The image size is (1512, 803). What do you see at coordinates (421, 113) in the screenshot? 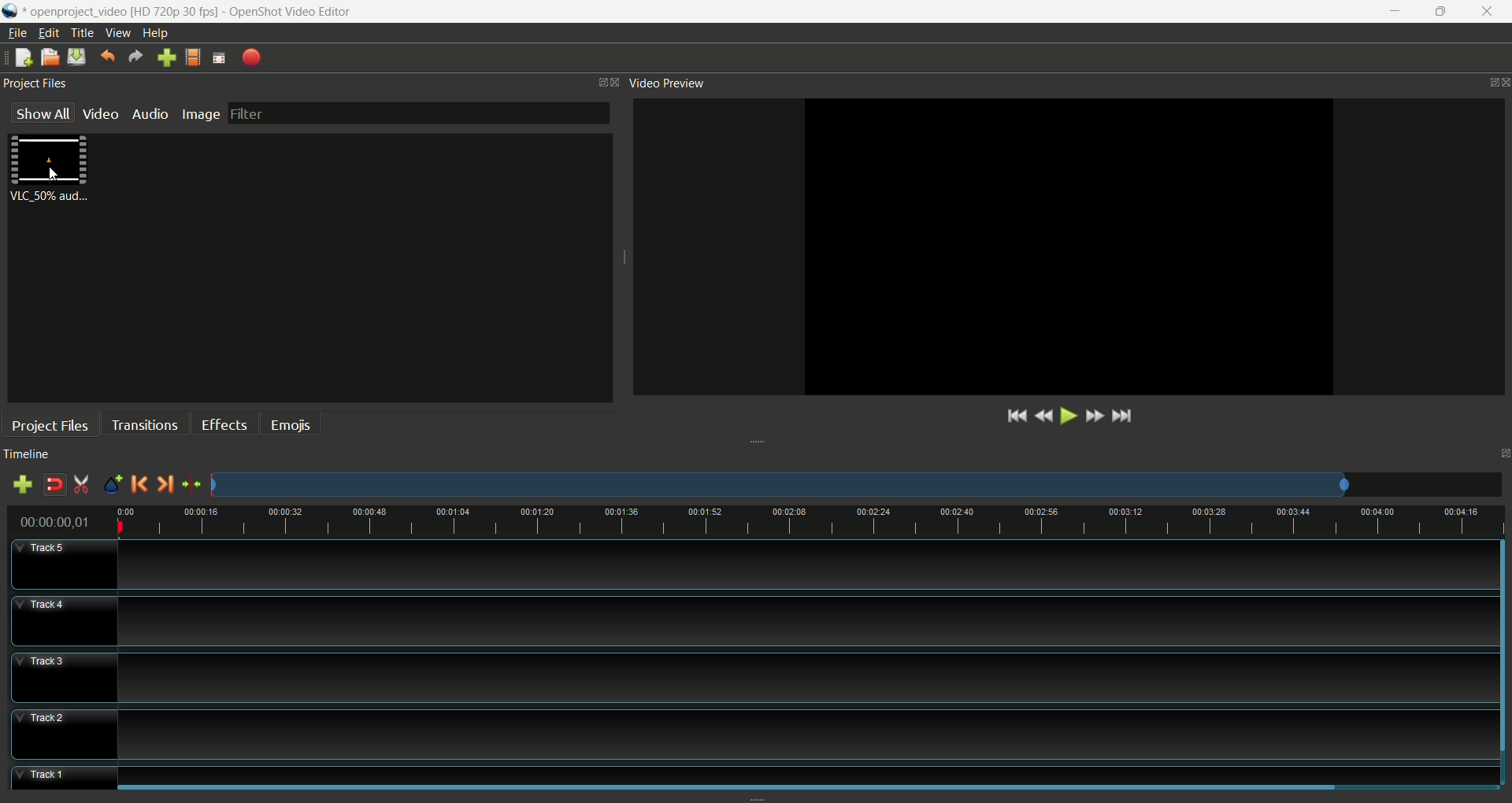
I see `filter` at bounding box center [421, 113].